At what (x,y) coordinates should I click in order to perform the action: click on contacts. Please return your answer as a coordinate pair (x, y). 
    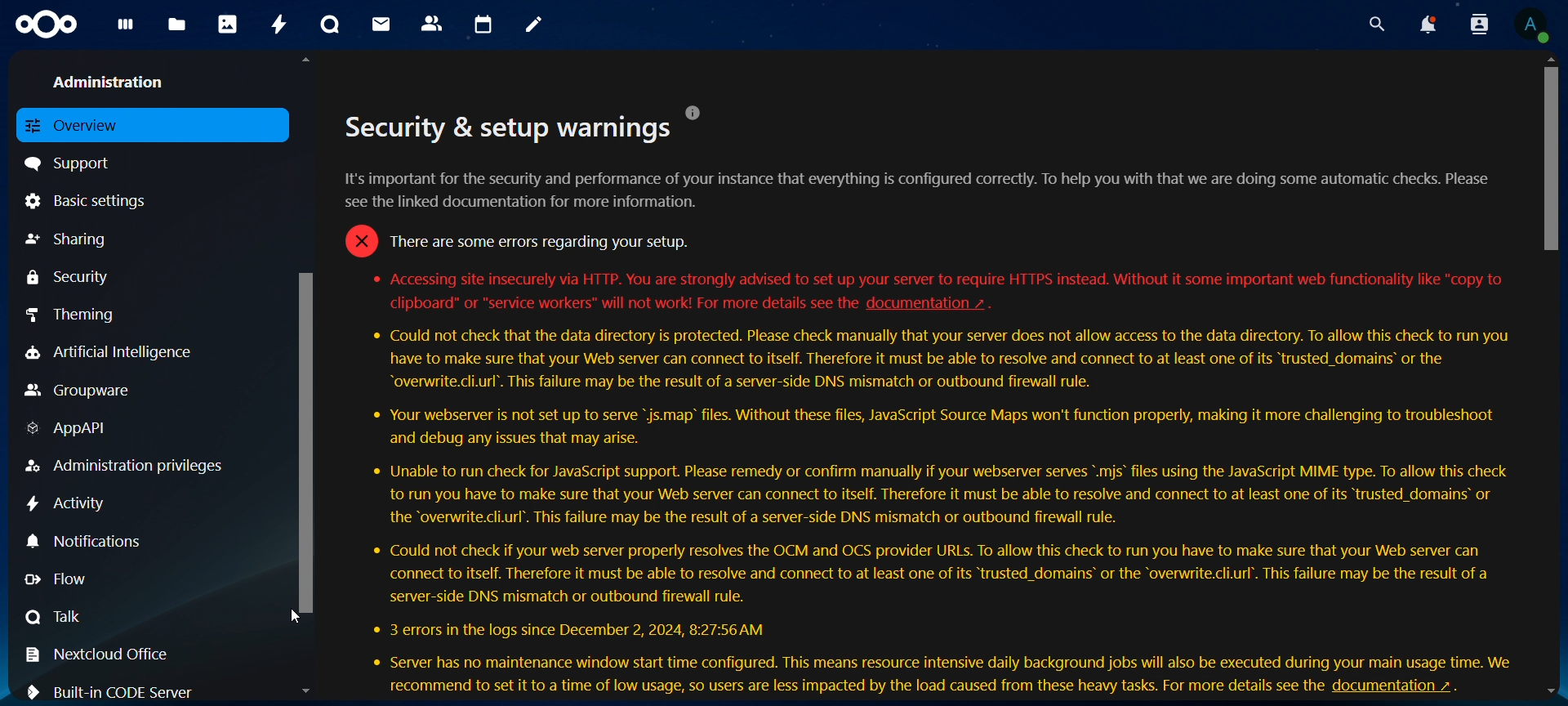
    Looking at the image, I should click on (433, 25).